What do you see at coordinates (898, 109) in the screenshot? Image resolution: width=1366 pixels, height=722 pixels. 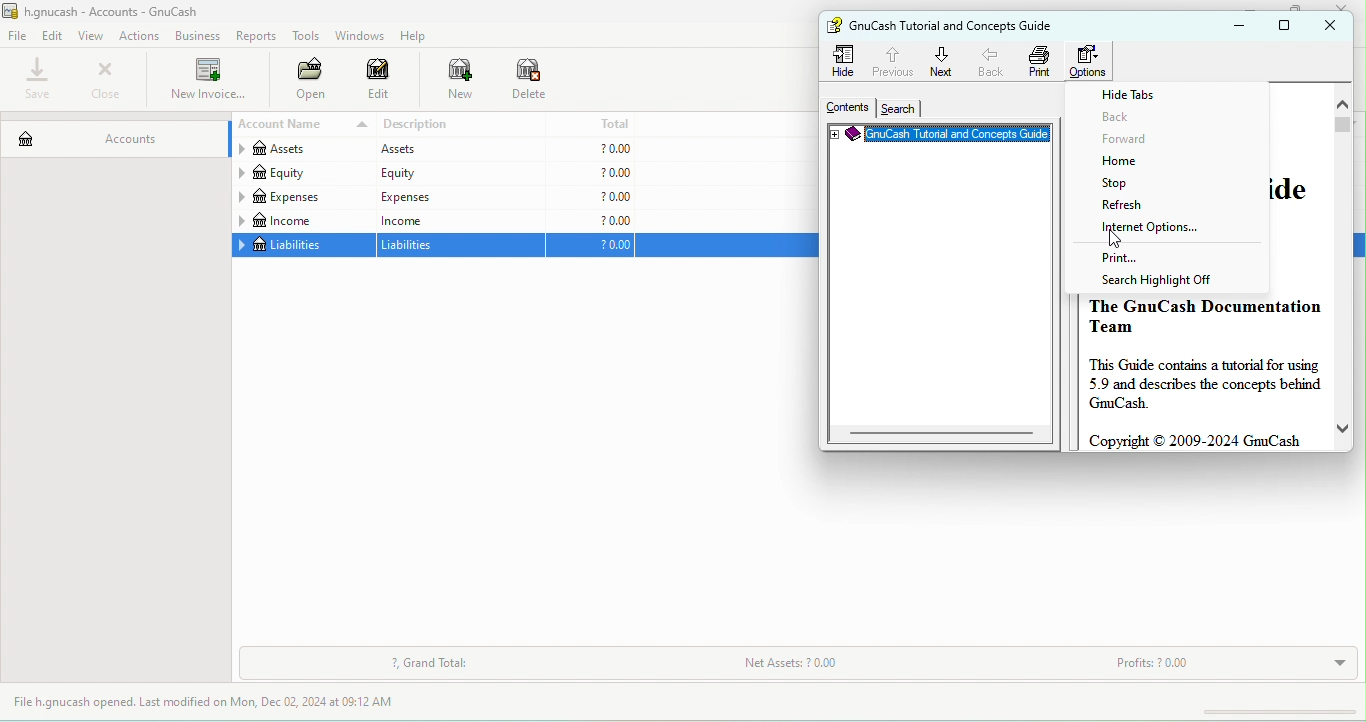 I see `search` at bounding box center [898, 109].